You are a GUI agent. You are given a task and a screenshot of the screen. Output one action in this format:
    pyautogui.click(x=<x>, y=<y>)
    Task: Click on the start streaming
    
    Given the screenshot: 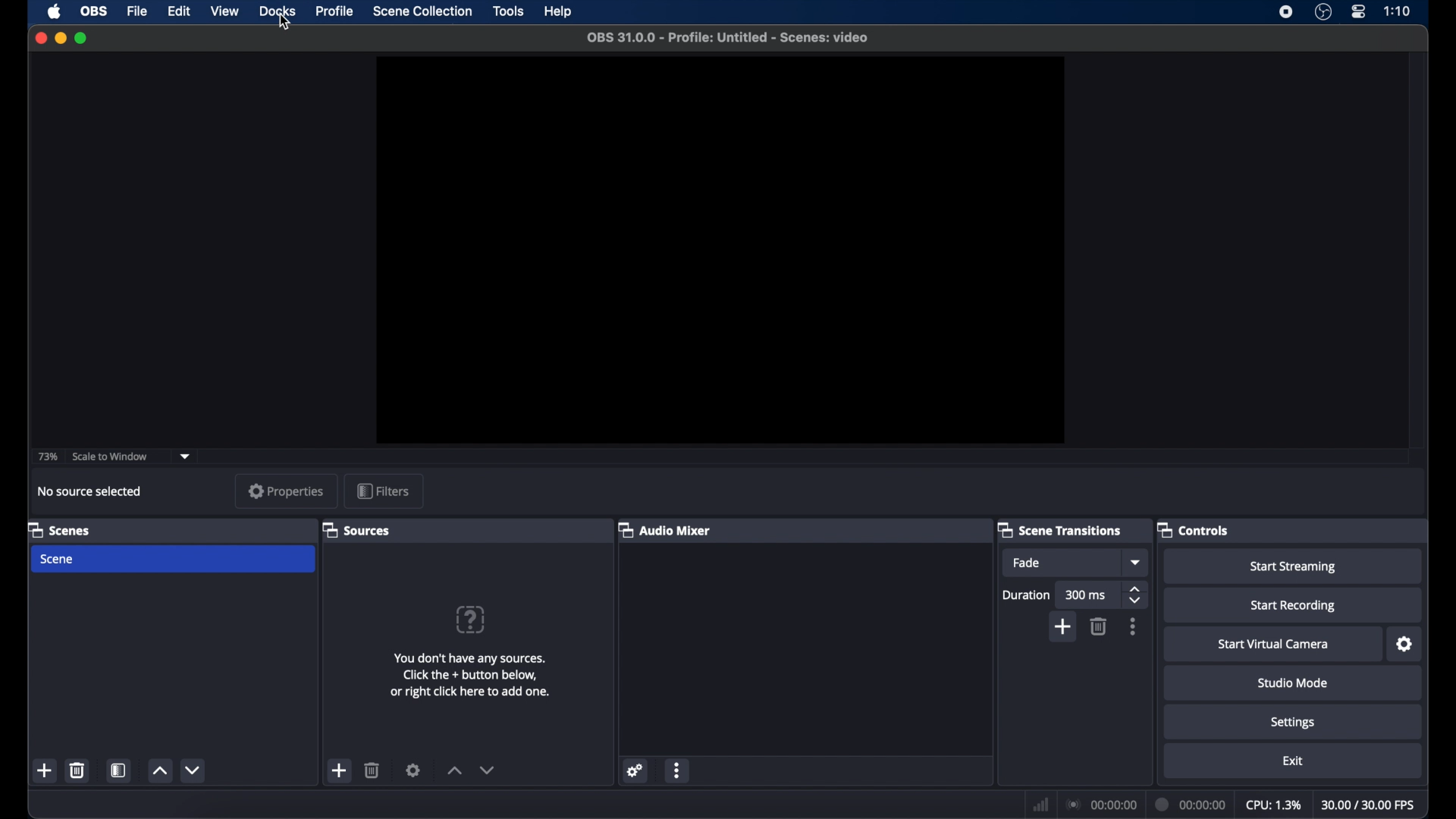 What is the action you would take?
    pyautogui.click(x=1294, y=567)
    